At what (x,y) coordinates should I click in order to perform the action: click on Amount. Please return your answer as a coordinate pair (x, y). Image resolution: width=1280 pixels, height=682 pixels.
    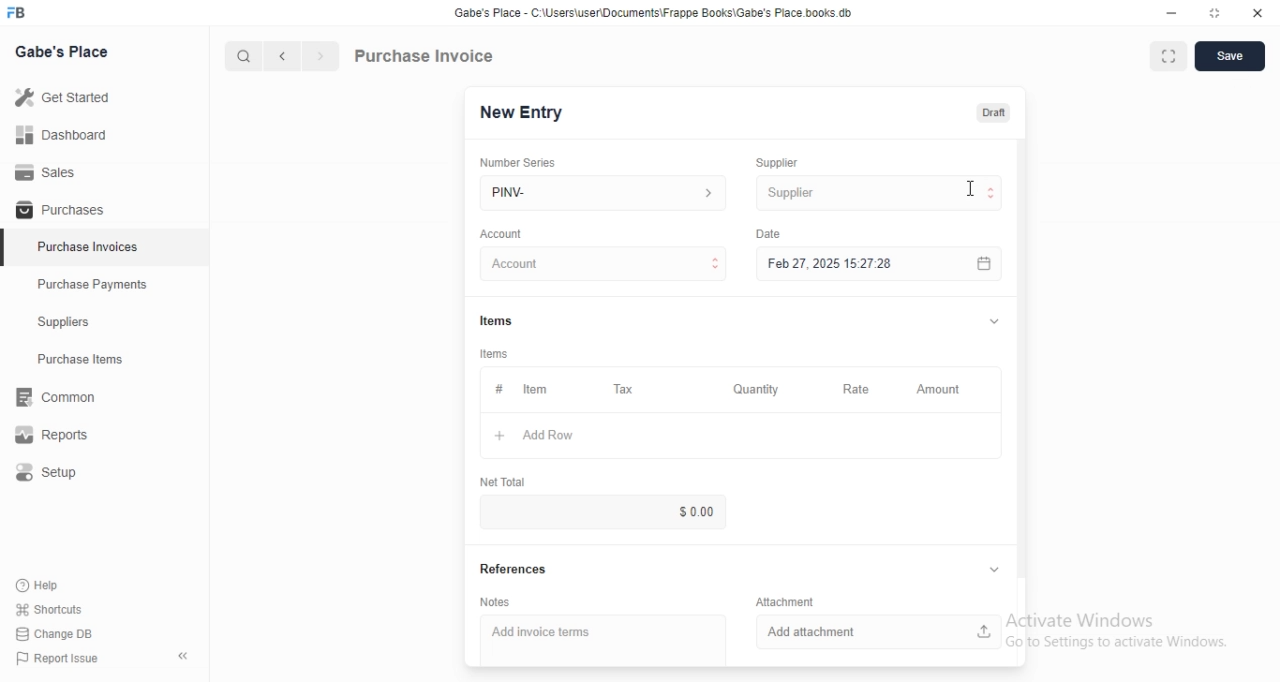
    Looking at the image, I should click on (943, 390).